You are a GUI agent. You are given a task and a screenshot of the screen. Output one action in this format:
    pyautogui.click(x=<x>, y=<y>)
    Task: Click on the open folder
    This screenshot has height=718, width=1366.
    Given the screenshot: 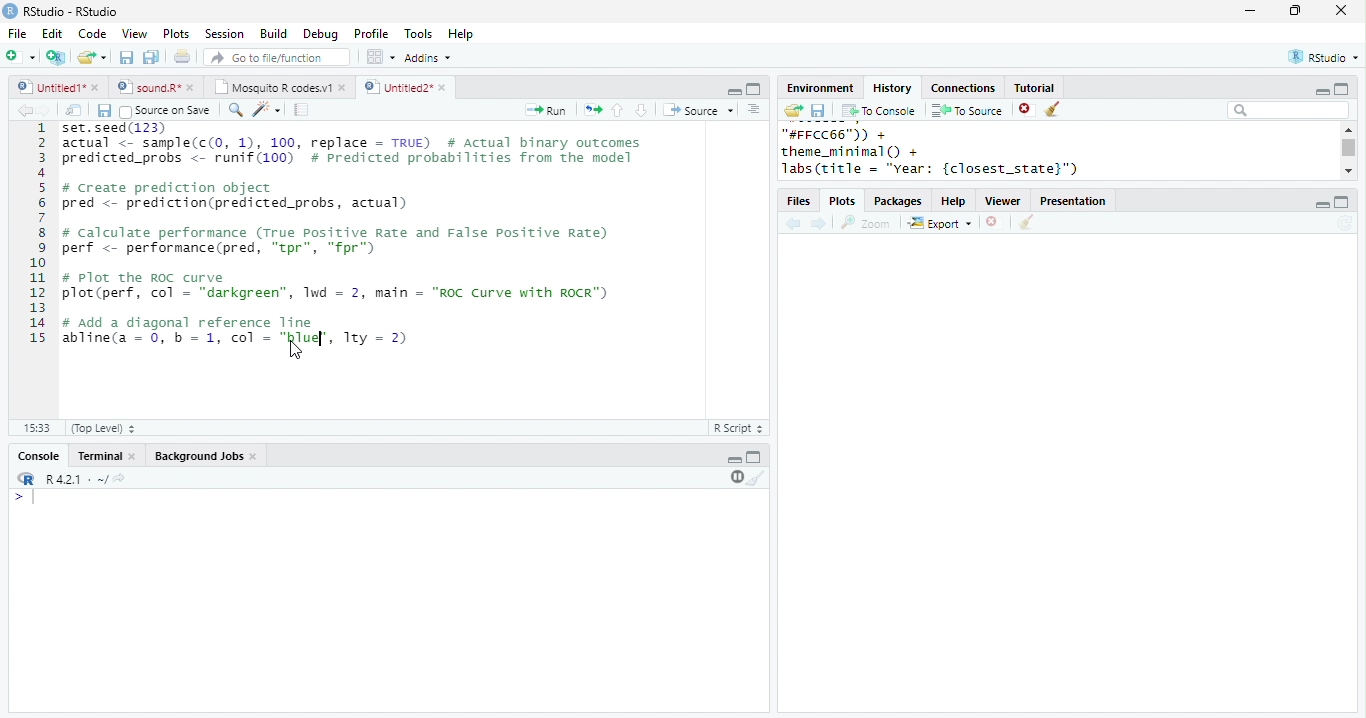 What is the action you would take?
    pyautogui.click(x=792, y=110)
    